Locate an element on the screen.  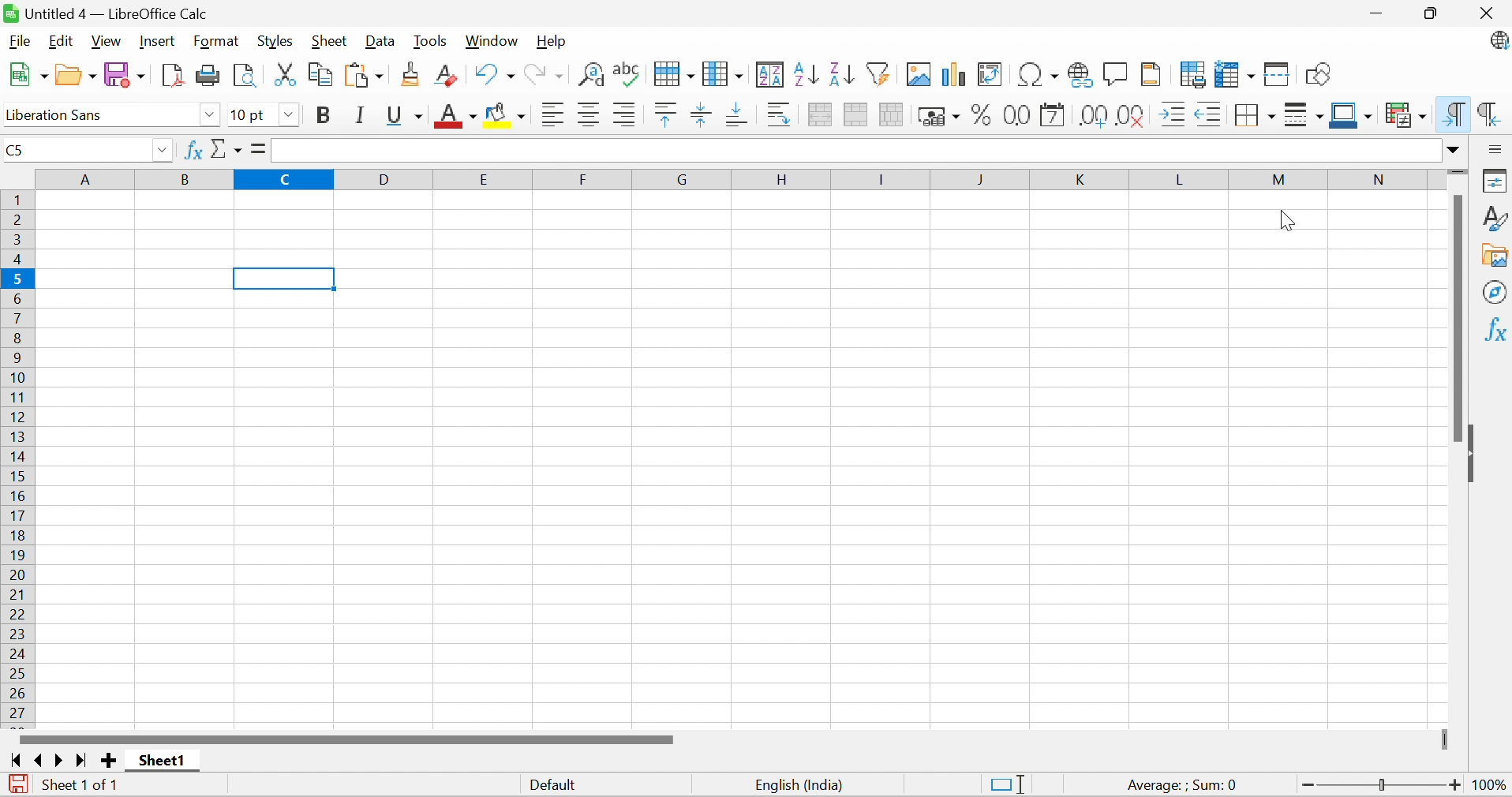
Redo is located at coordinates (543, 77).